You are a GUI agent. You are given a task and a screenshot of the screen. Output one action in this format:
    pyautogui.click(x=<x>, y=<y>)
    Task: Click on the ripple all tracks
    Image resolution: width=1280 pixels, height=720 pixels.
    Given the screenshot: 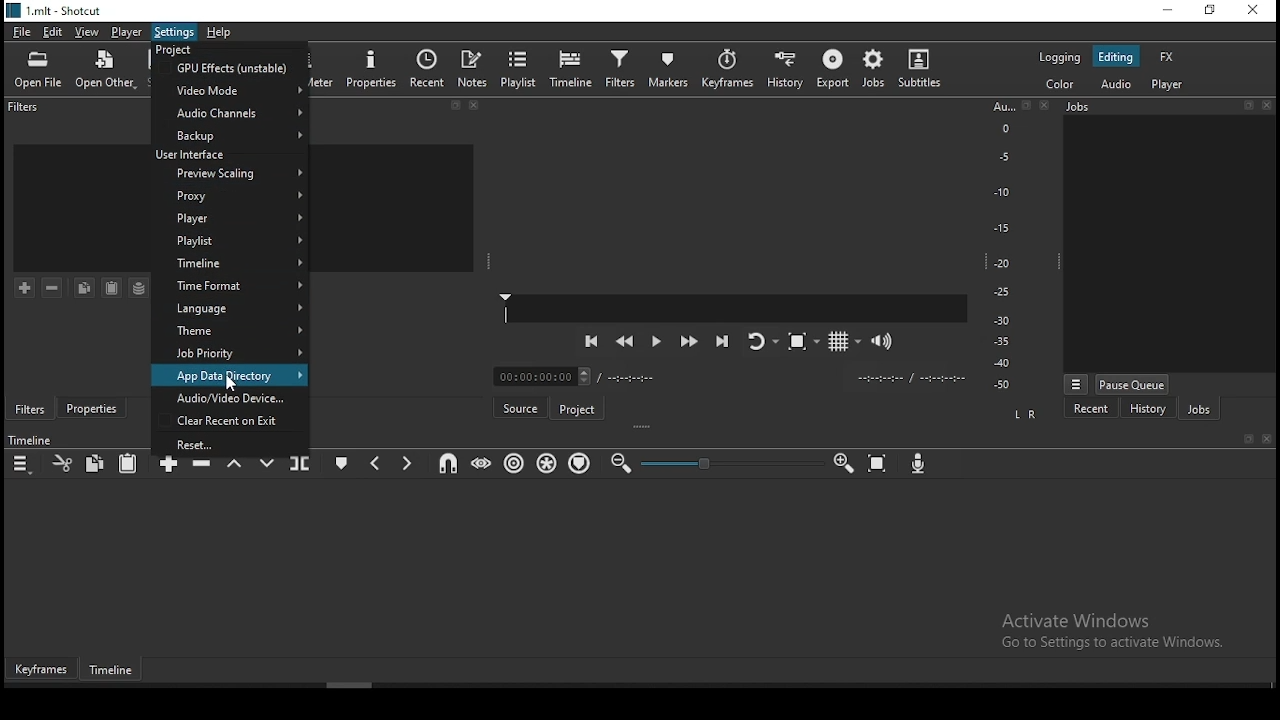 What is the action you would take?
    pyautogui.click(x=547, y=464)
    